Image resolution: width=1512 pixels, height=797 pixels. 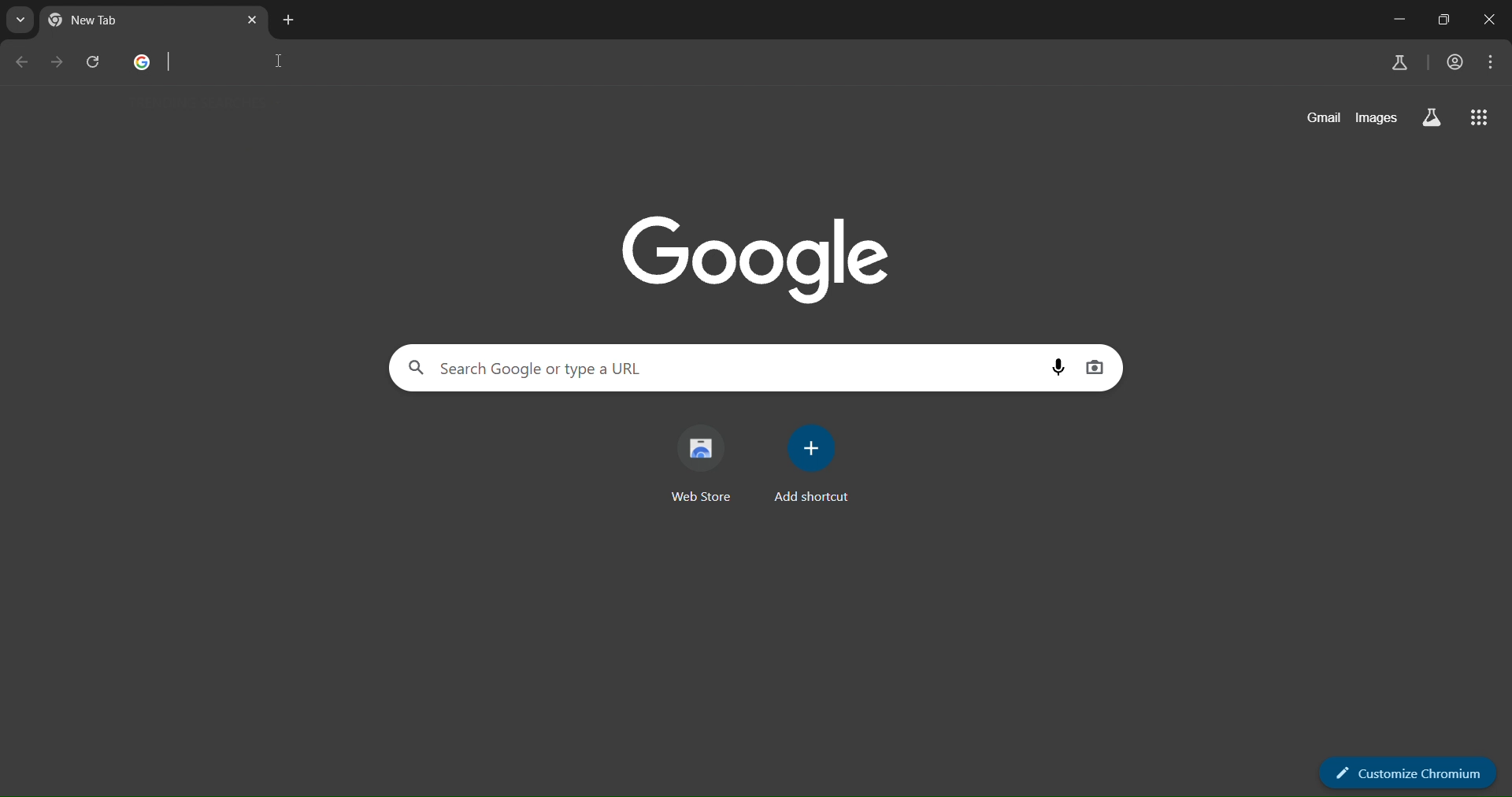 I want to click on image search, so click(x=1099, y=367).